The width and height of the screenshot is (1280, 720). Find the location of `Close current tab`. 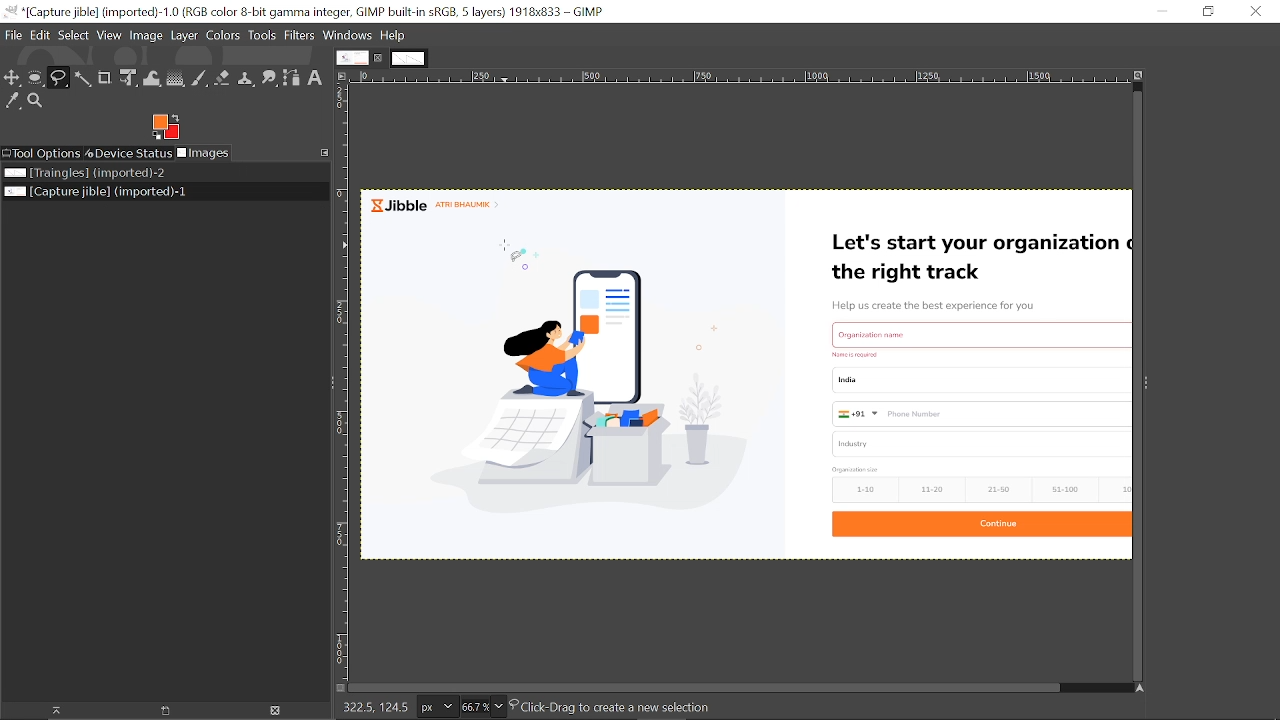

Close current tab is located at coordinates (380, 58).